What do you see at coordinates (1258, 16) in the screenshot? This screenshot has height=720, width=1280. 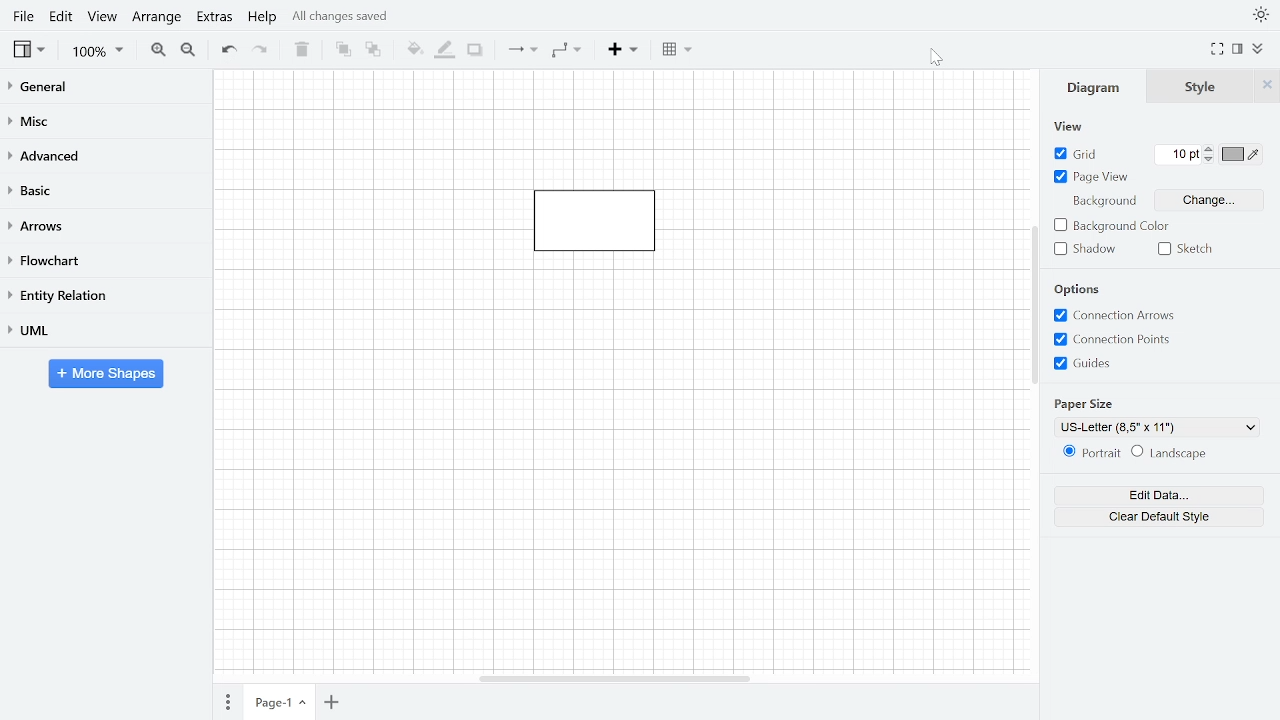 I see `Theme` at bounding box center [1258, 16].